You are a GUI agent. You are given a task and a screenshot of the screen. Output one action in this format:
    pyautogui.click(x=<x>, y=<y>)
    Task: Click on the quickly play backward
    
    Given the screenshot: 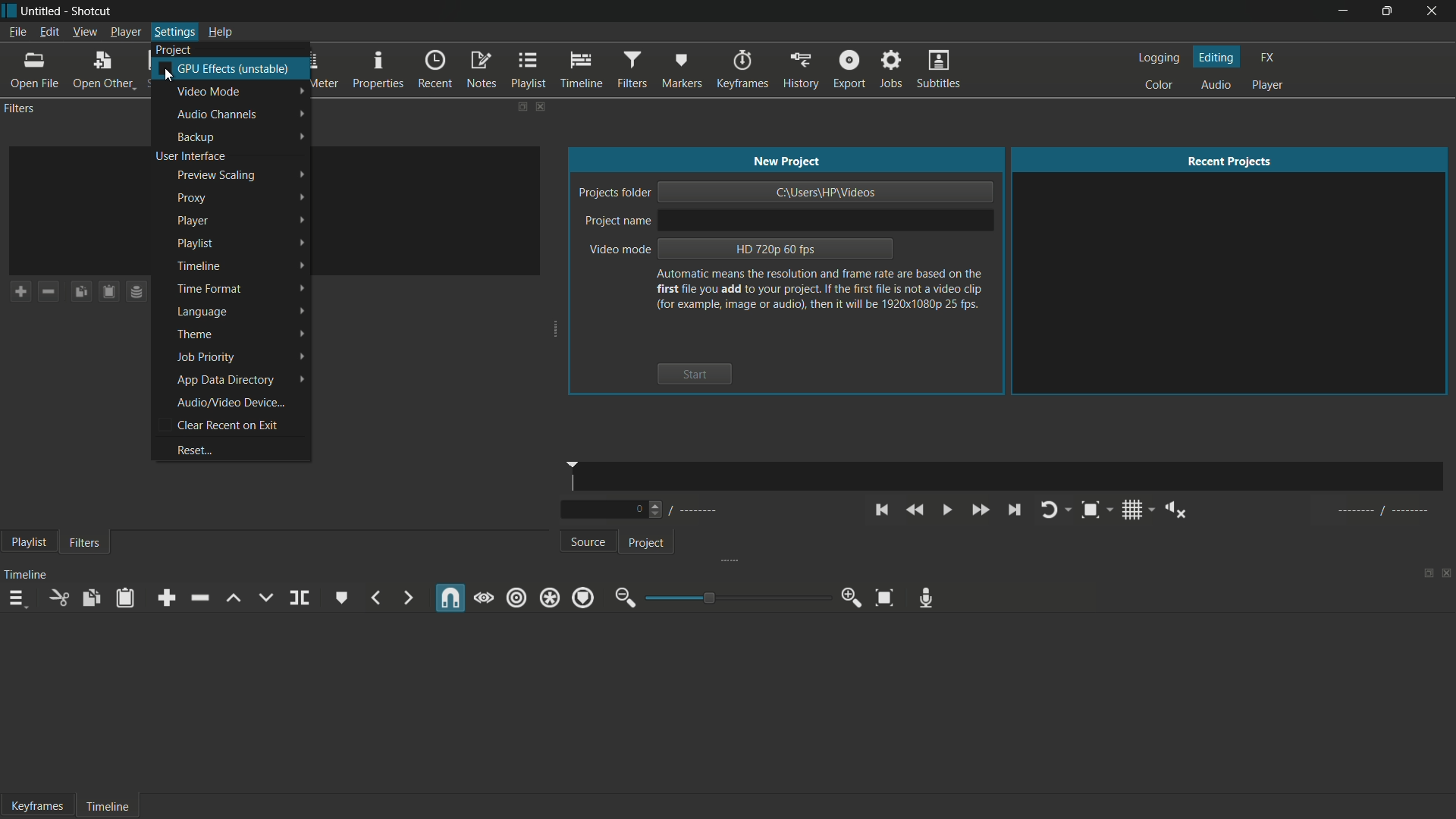 What is the action you would take?
    pyautogui.click(x=913, y=509)
    